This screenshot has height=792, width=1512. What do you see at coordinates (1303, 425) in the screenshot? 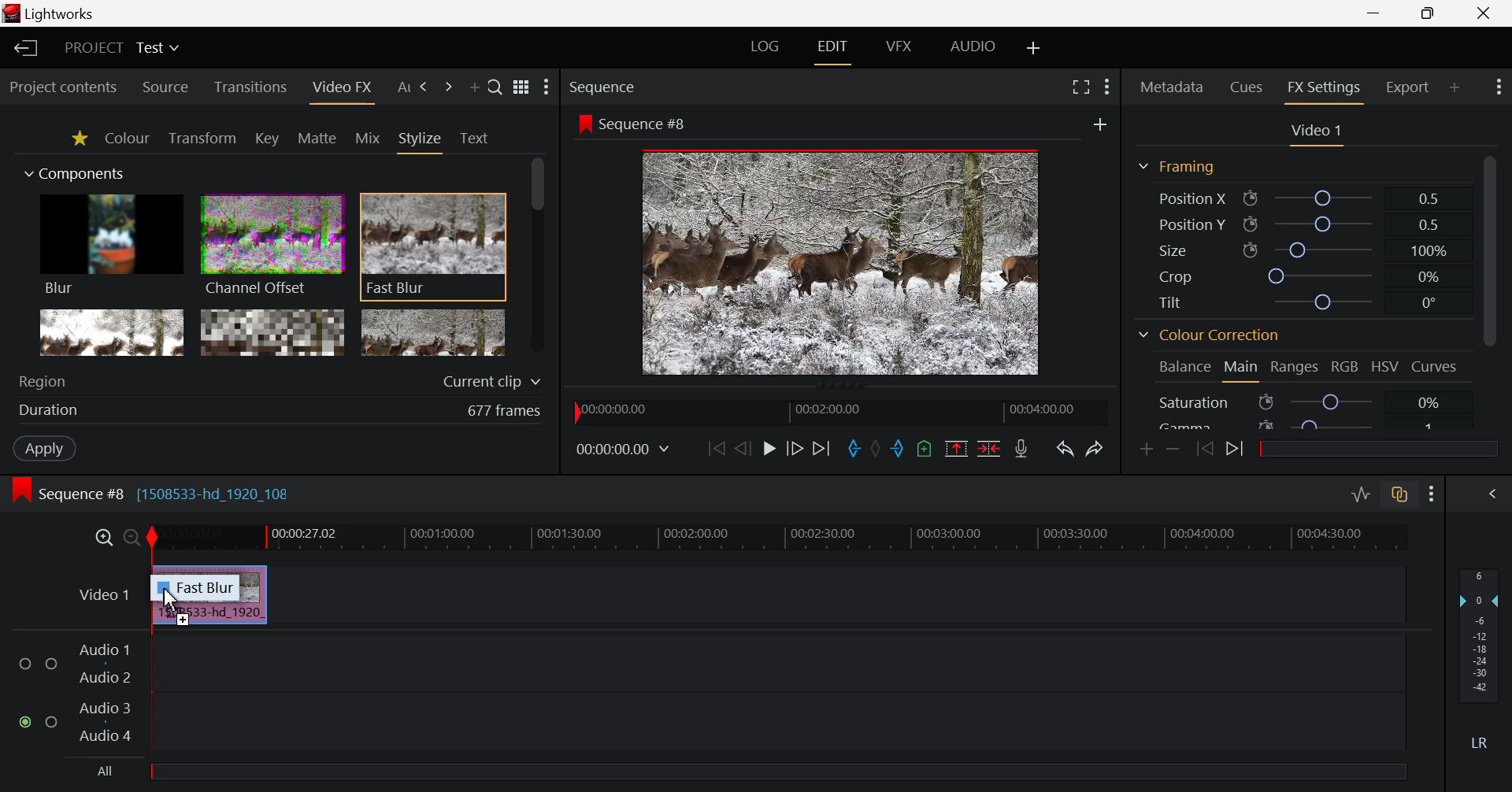
I see `Gamma` at bounding box center [1303, 425].